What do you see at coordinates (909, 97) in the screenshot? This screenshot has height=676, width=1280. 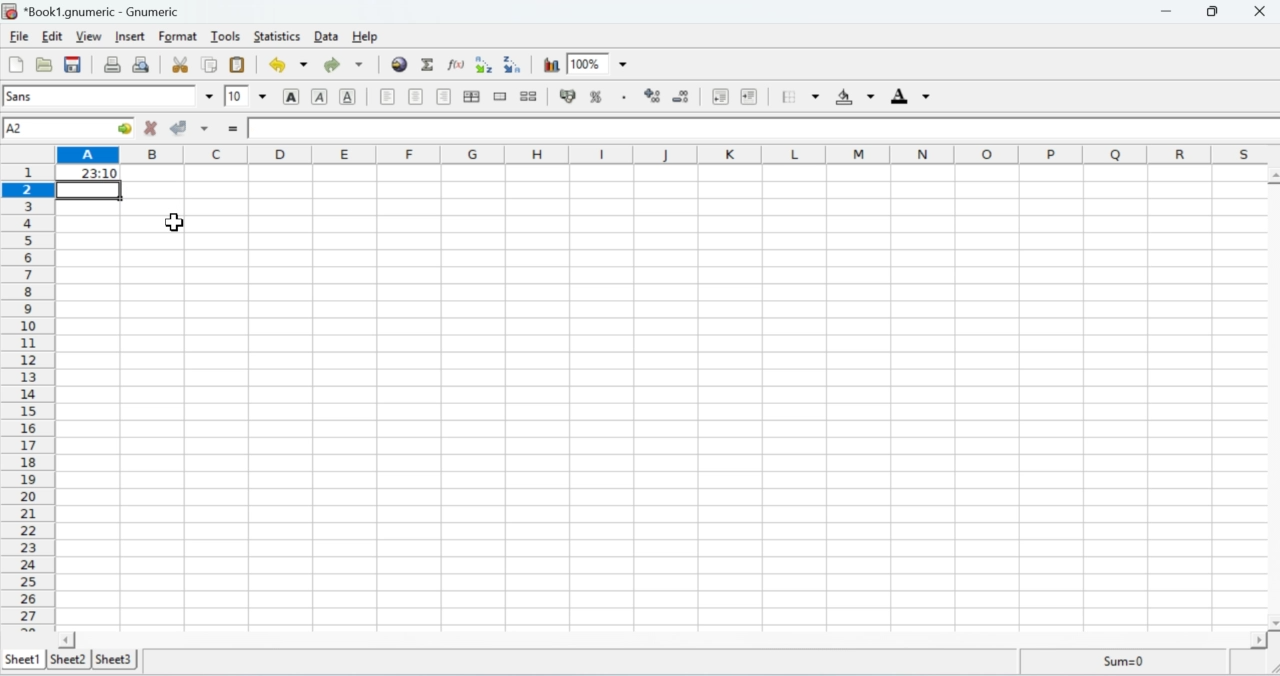 I see `Foreground` at bounding box center [909, 97].